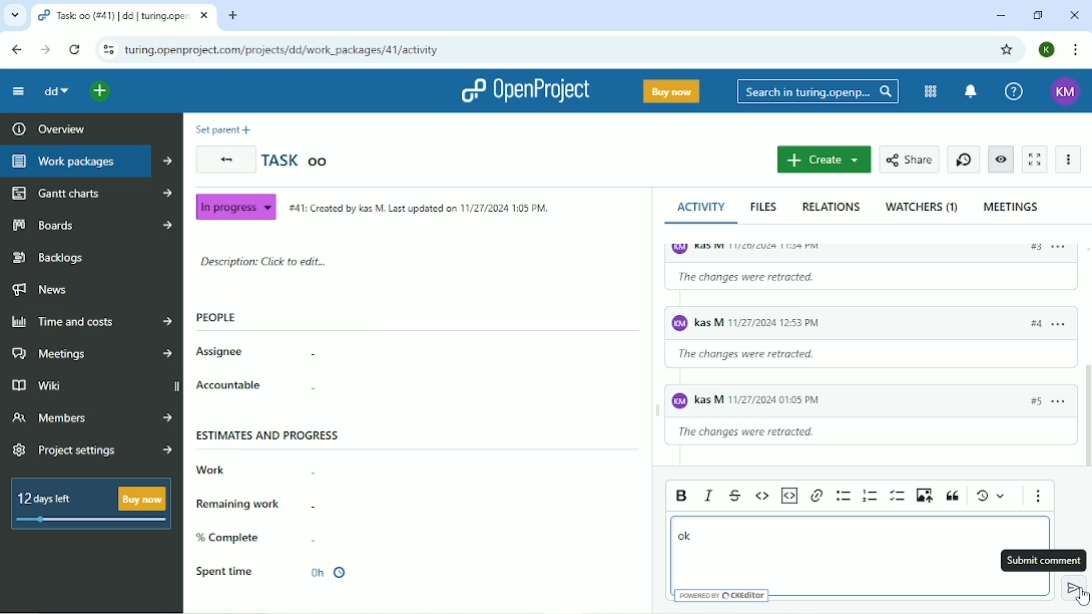 This screenshot has height=614, width=1092. I want to click on KM, so click(1065, 92).